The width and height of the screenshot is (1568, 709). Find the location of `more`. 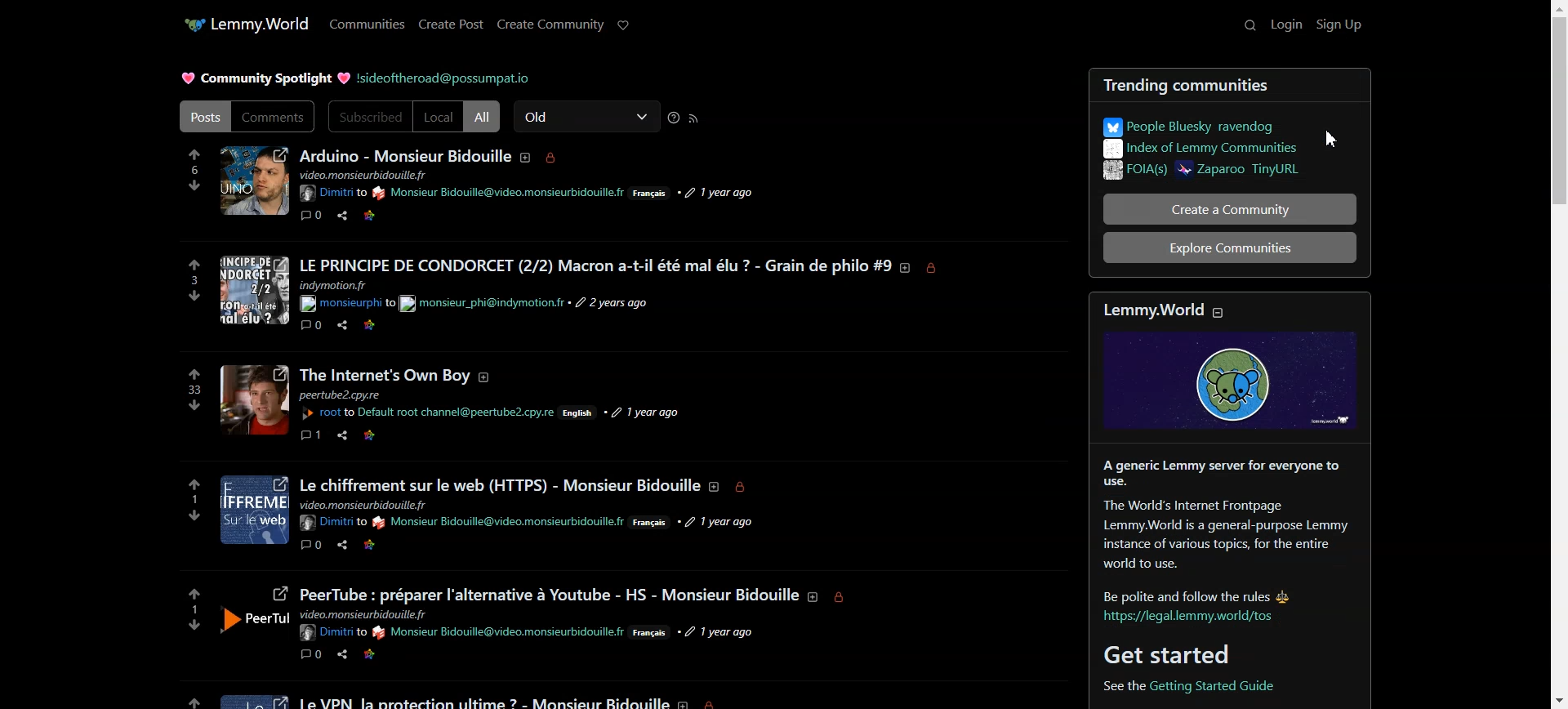

more is located at coordinates (465, 547).